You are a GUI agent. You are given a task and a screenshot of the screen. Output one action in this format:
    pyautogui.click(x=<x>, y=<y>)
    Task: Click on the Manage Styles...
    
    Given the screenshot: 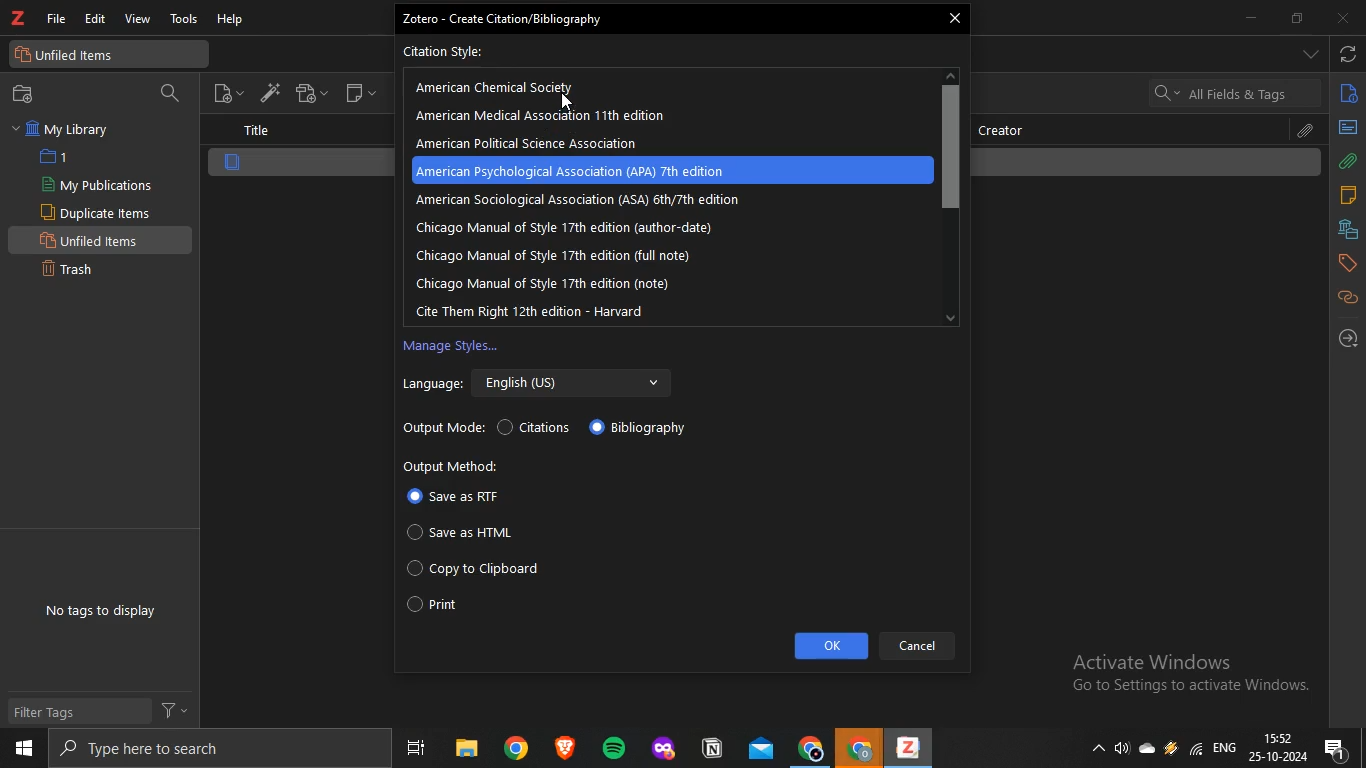 What is the action you would take?
    pyautogui.click(x=456, y=348)
    